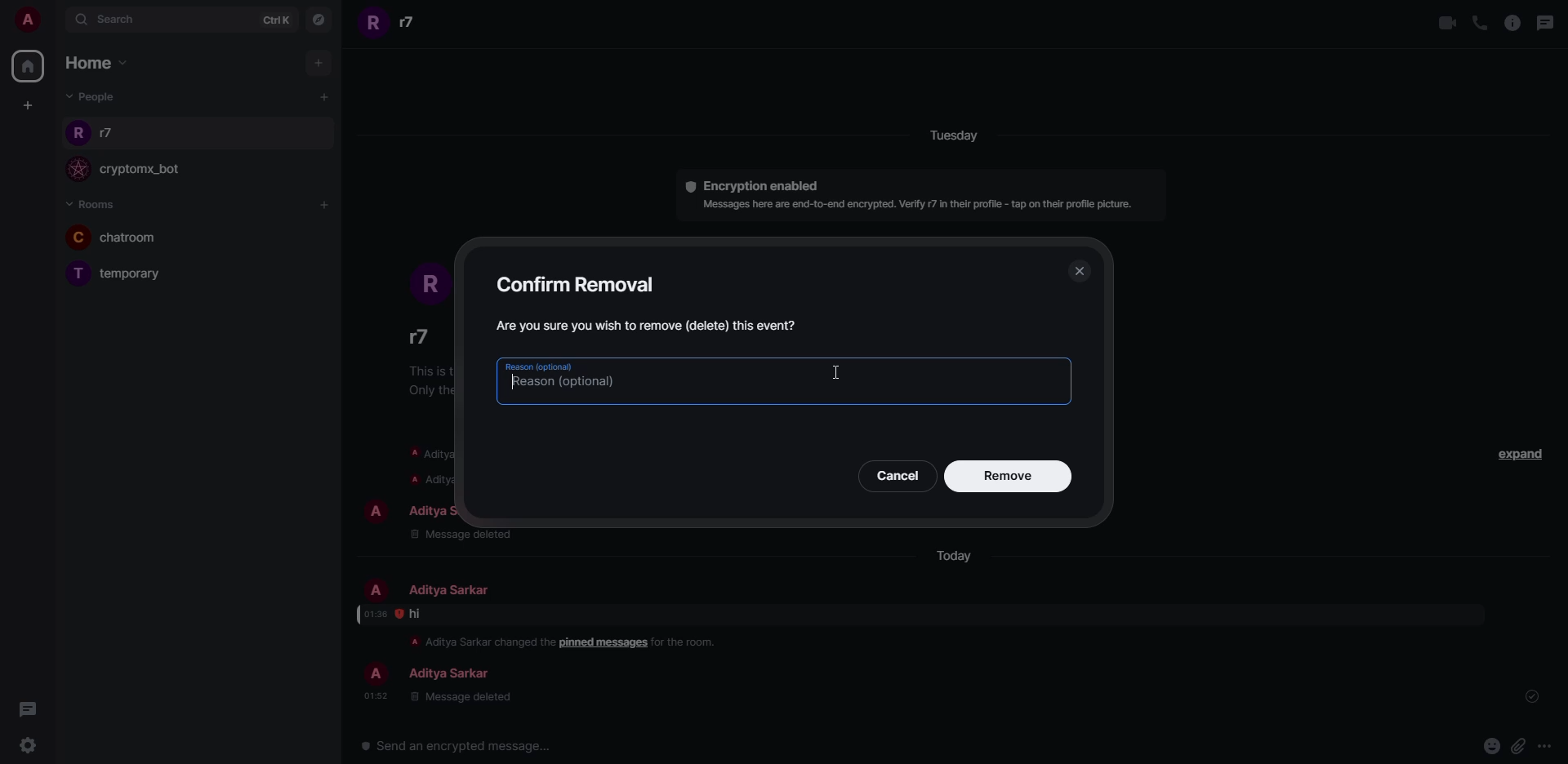 The image size is (1568, 764). Describe the element at coordinates (376, 695) in the screenshot. I see `time` at that location.